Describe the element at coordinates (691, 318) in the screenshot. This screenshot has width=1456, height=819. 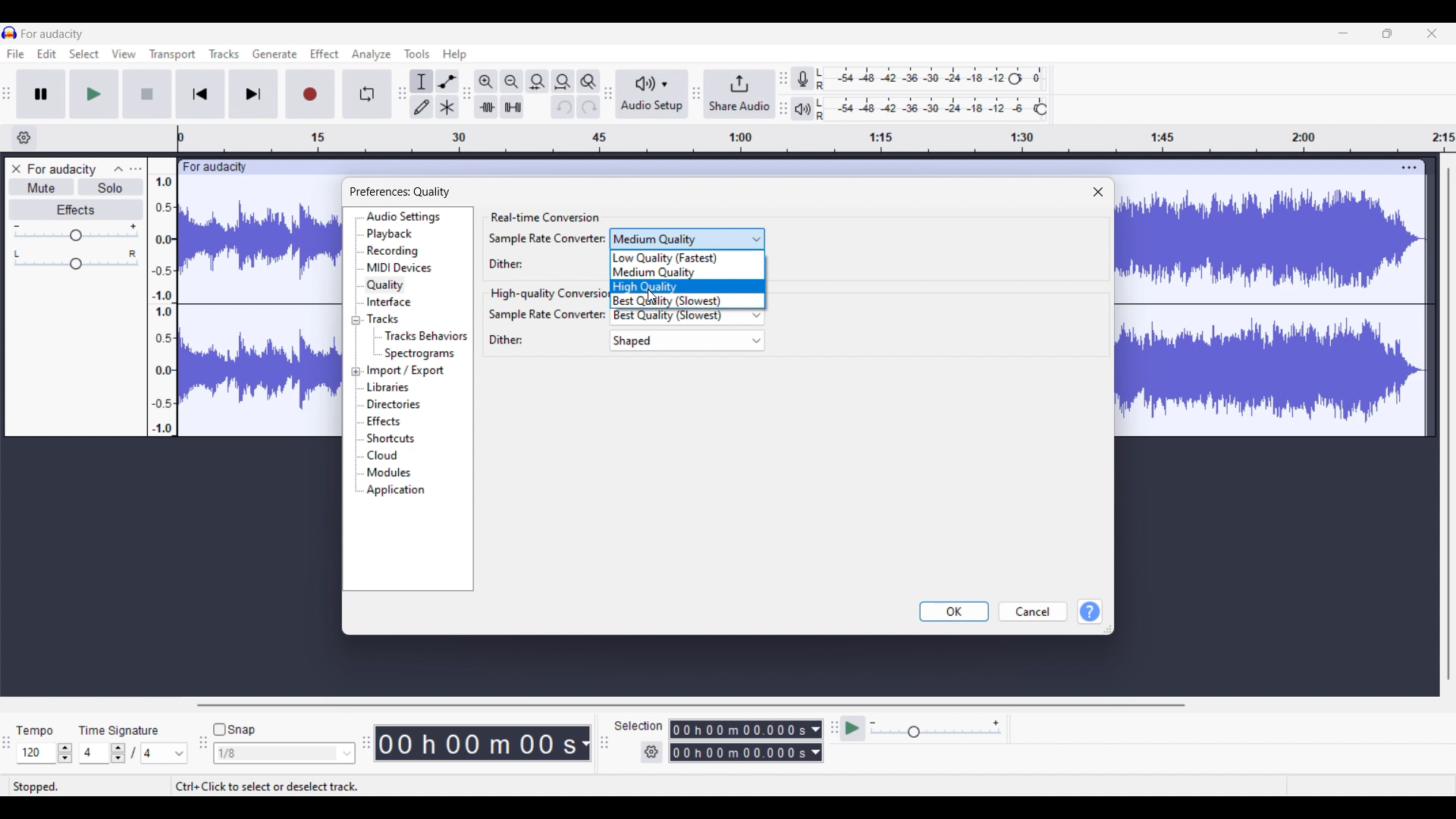
I see `best quality (slowest)` at that location.